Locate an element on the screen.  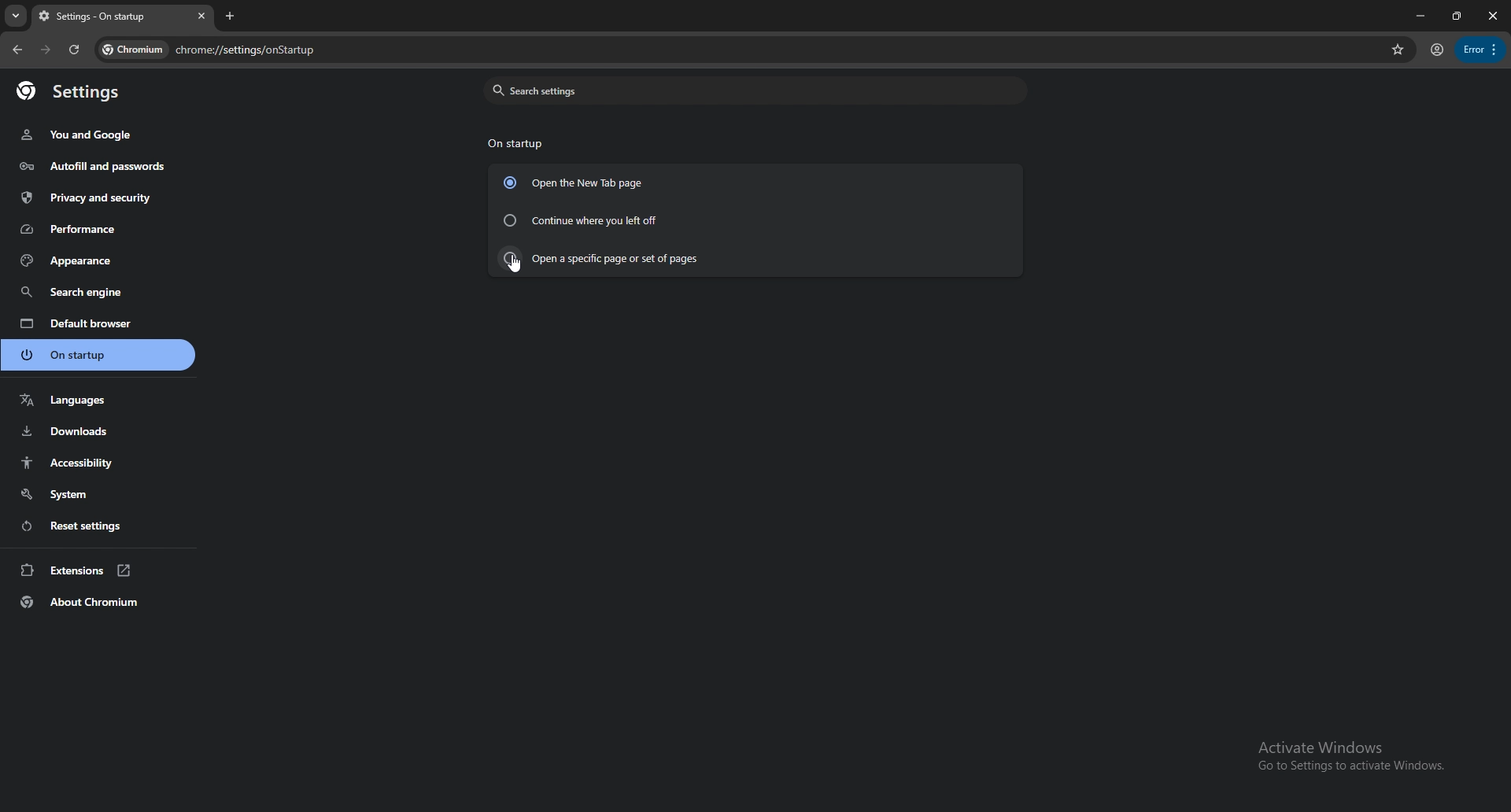
resize is located at coordinates (1454, 16).